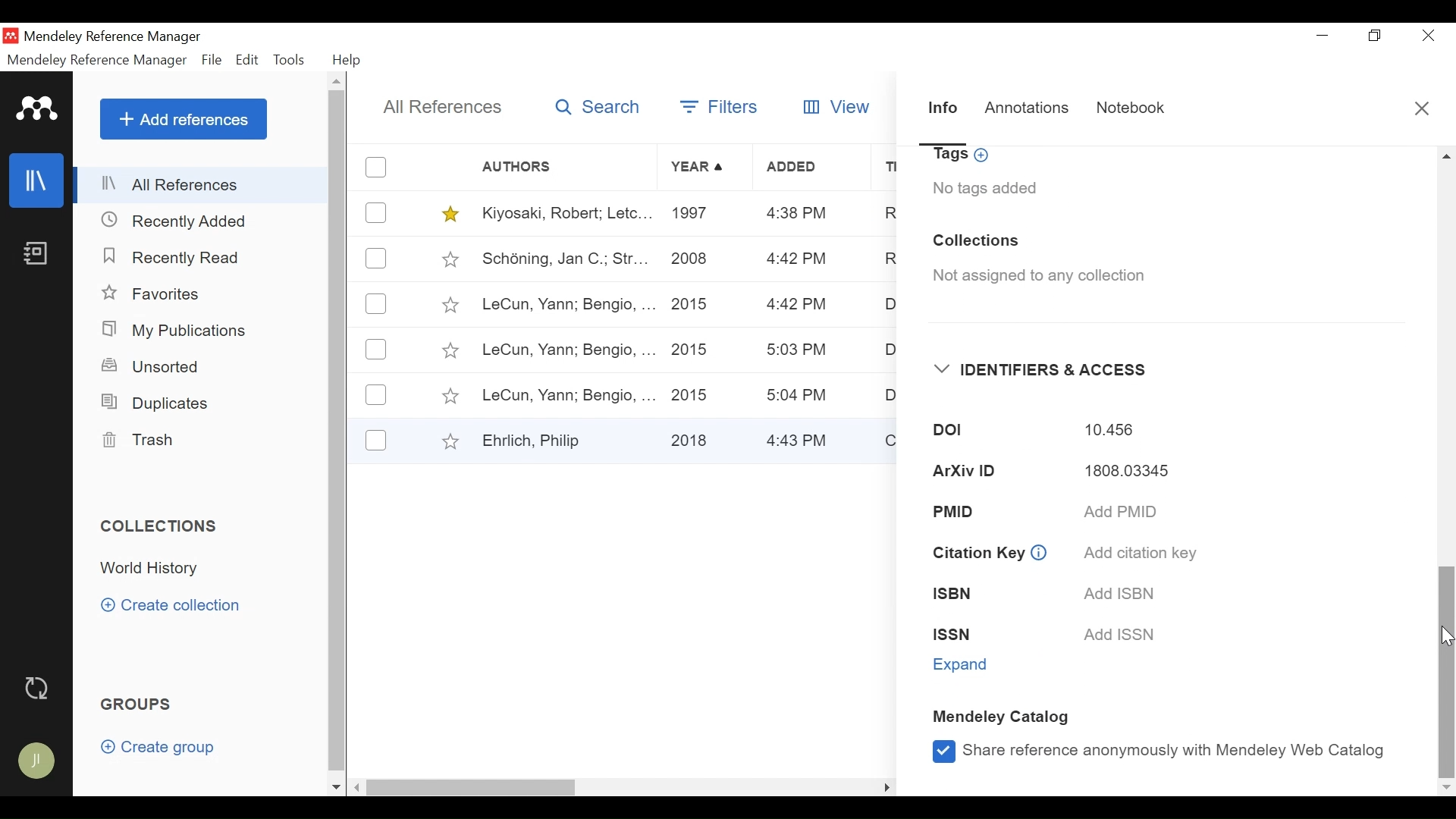  What do you see at coordinates (37, 688) in the screenshot?
I see `Sync` at bounding box center [37, 688].